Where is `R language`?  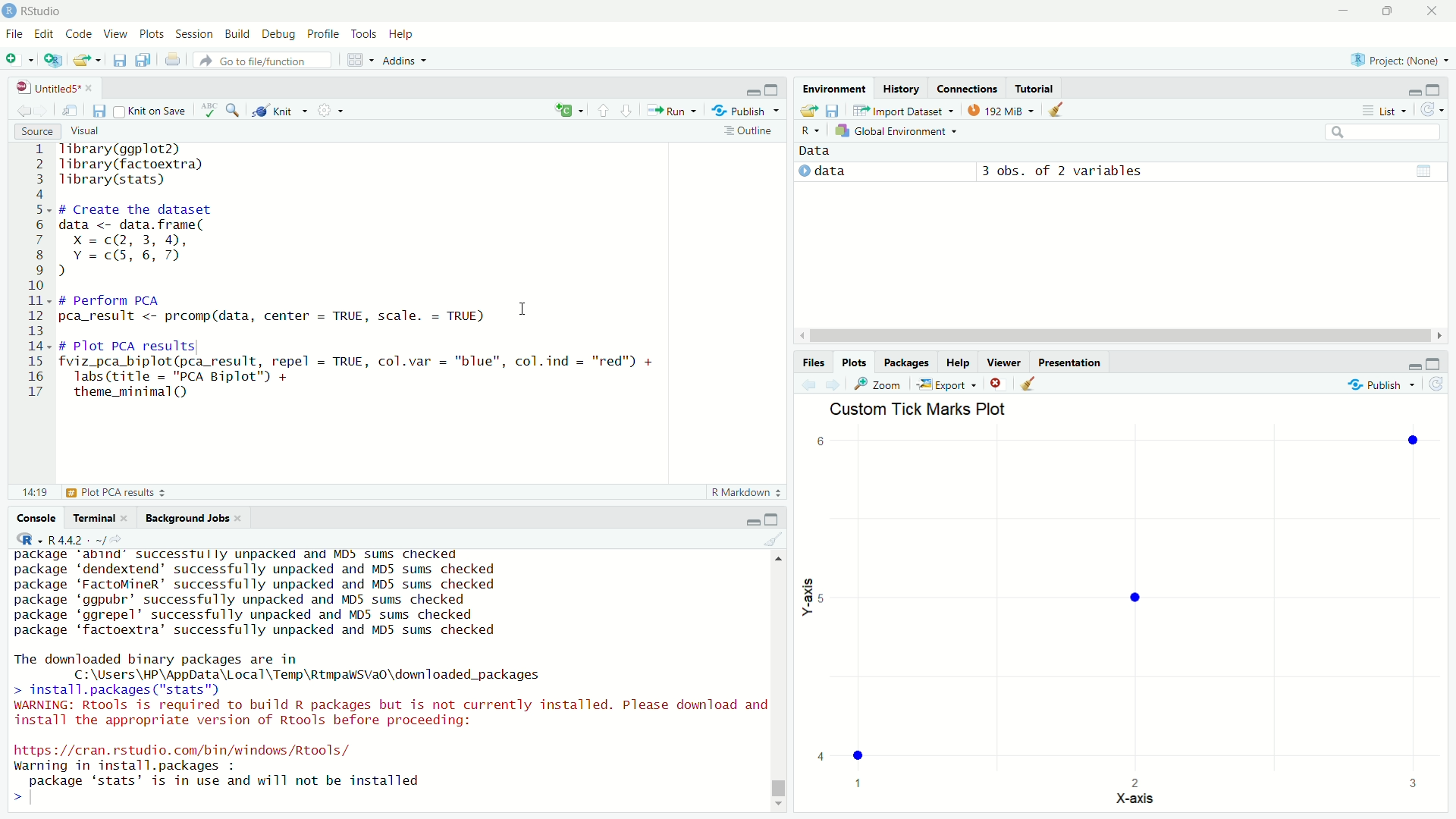
R language is located at coordinates (27, 539).